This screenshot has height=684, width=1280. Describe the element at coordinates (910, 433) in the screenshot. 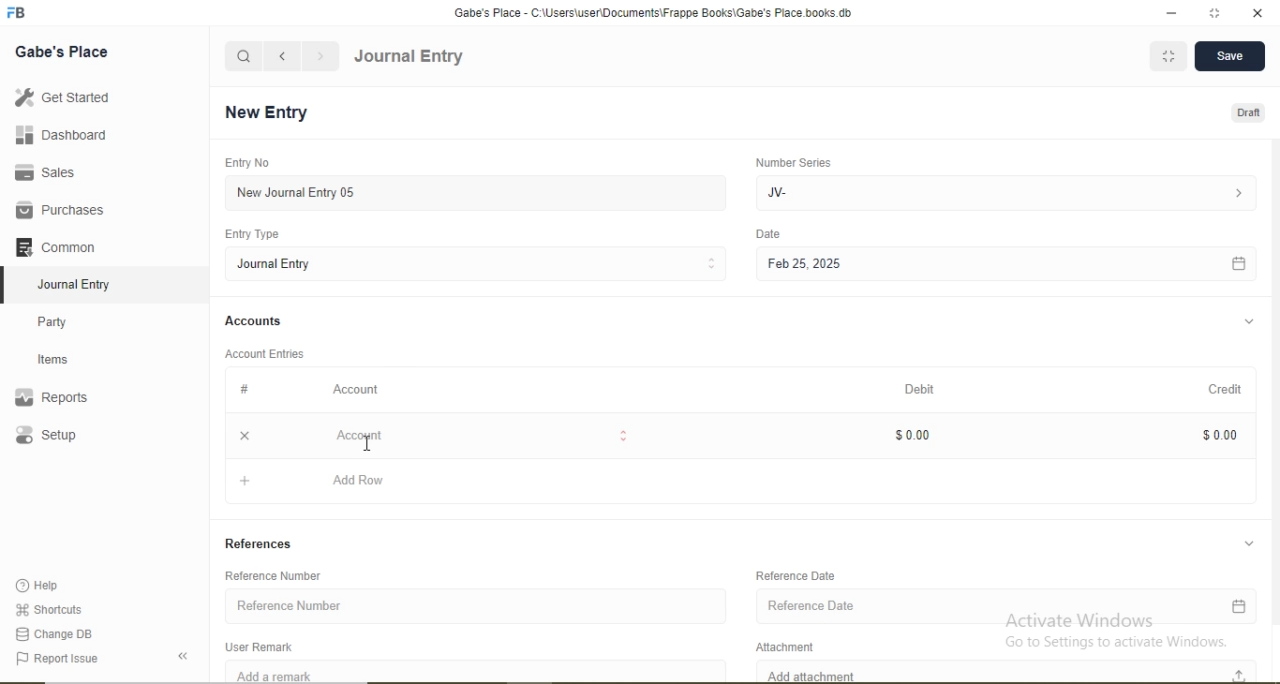

I see `$0.00` at that location.